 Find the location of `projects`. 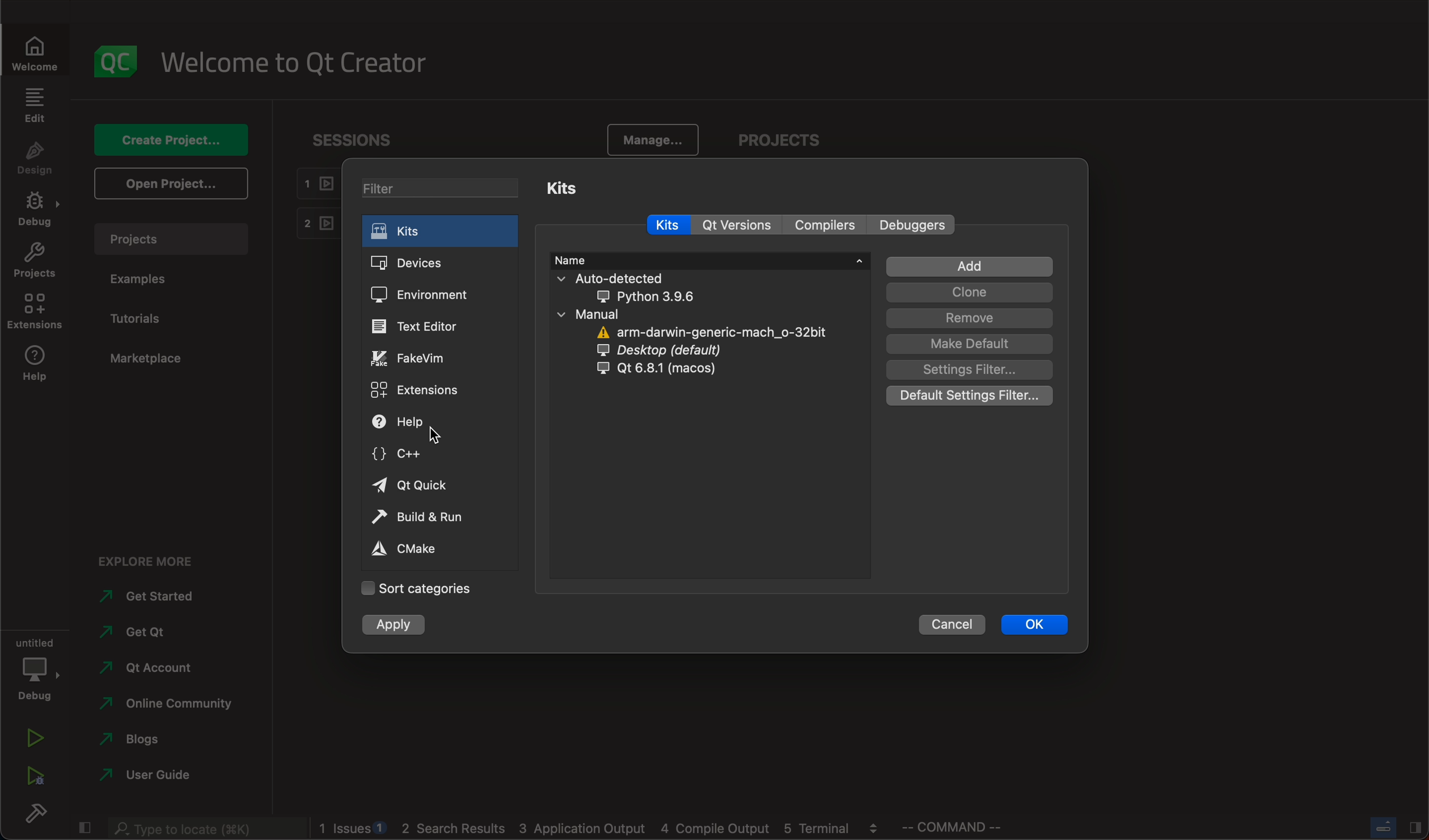

projects is located at coordinates (788, 141).